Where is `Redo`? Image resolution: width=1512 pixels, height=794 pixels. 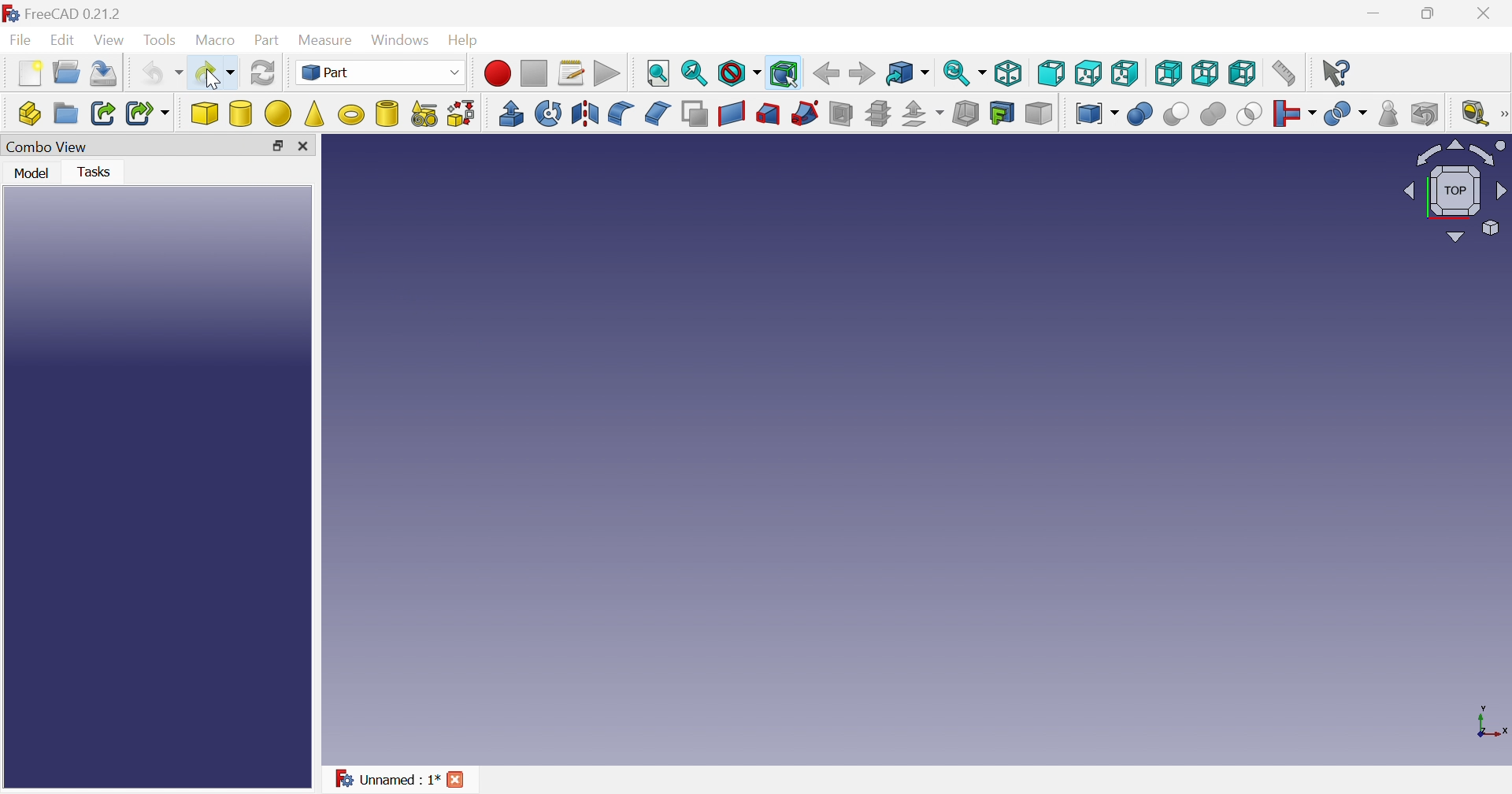 Redo is located at coordinates (214, 72).